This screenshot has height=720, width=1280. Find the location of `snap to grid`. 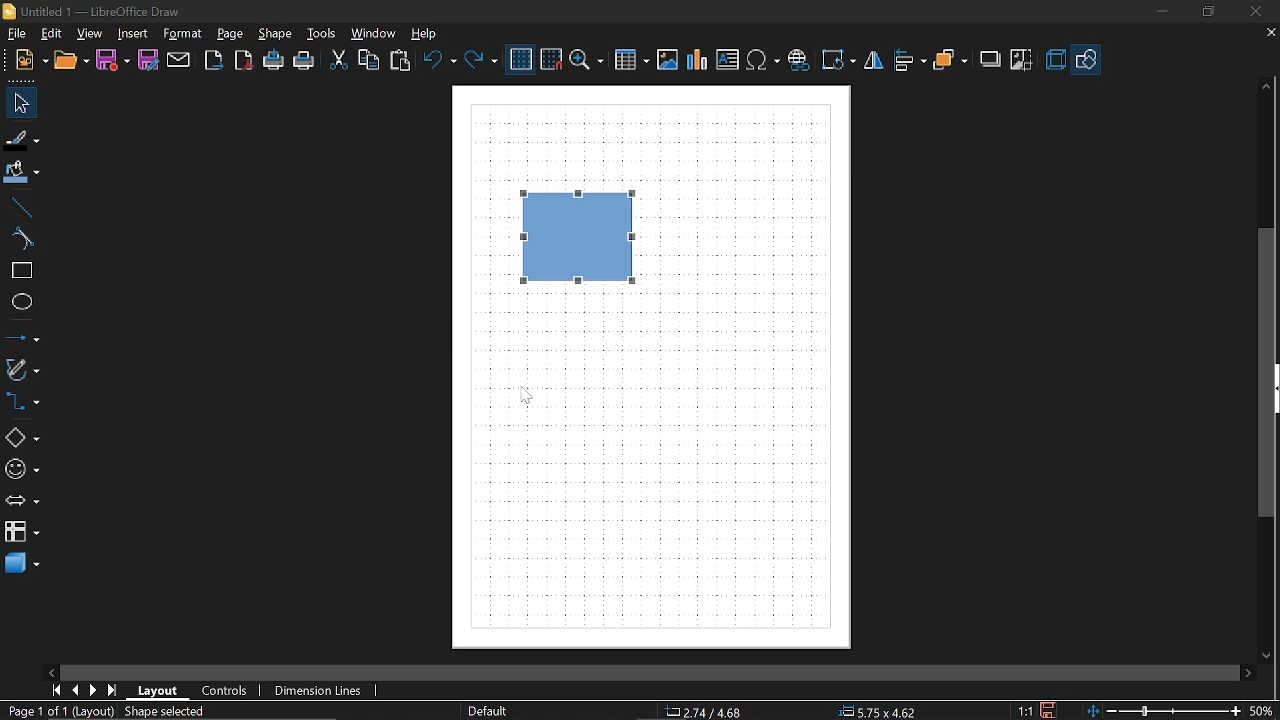

snap to grid is located at coordinates (552, 59).